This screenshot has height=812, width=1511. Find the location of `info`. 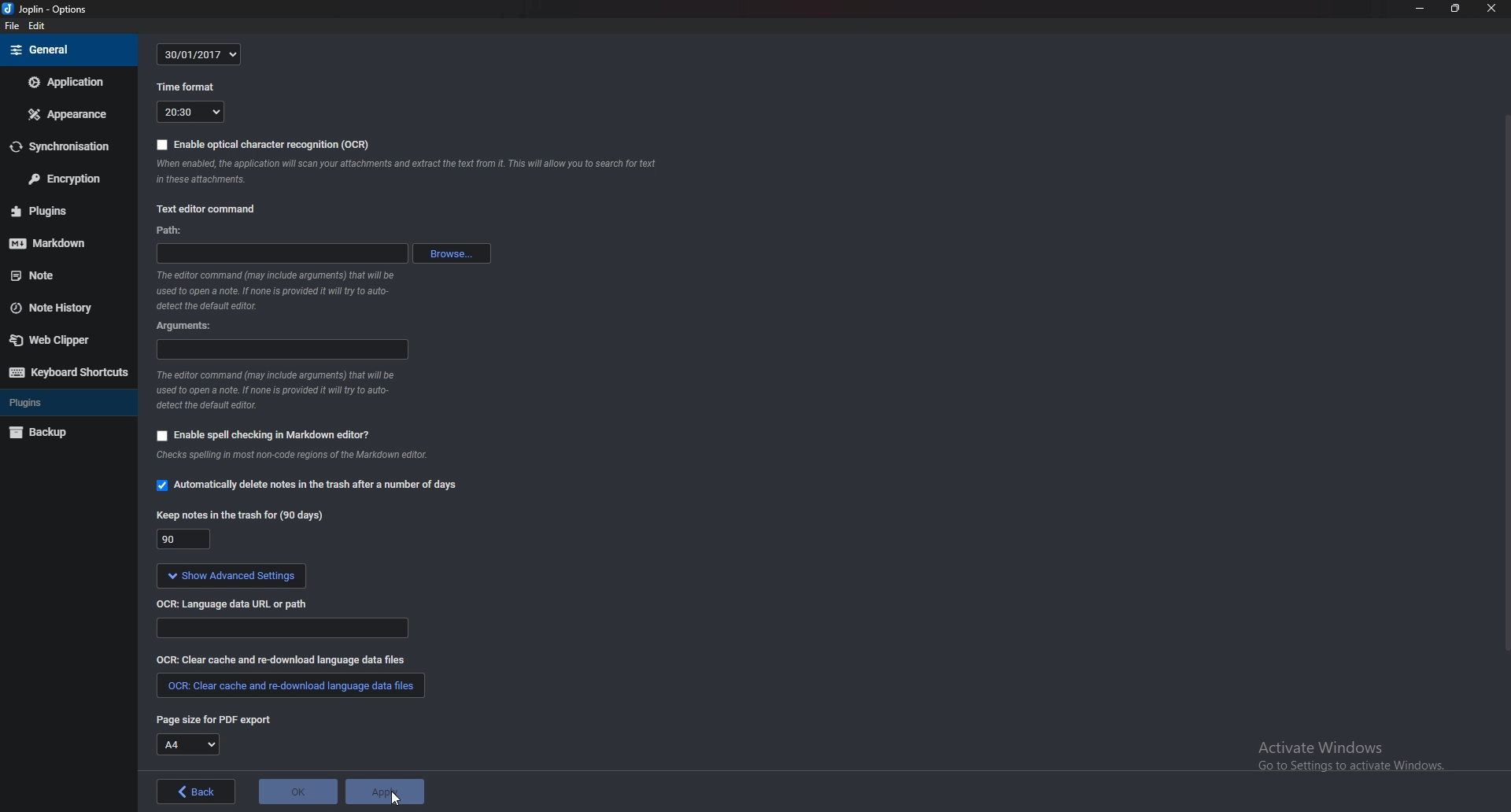

info is located at coordinates (286, 291).